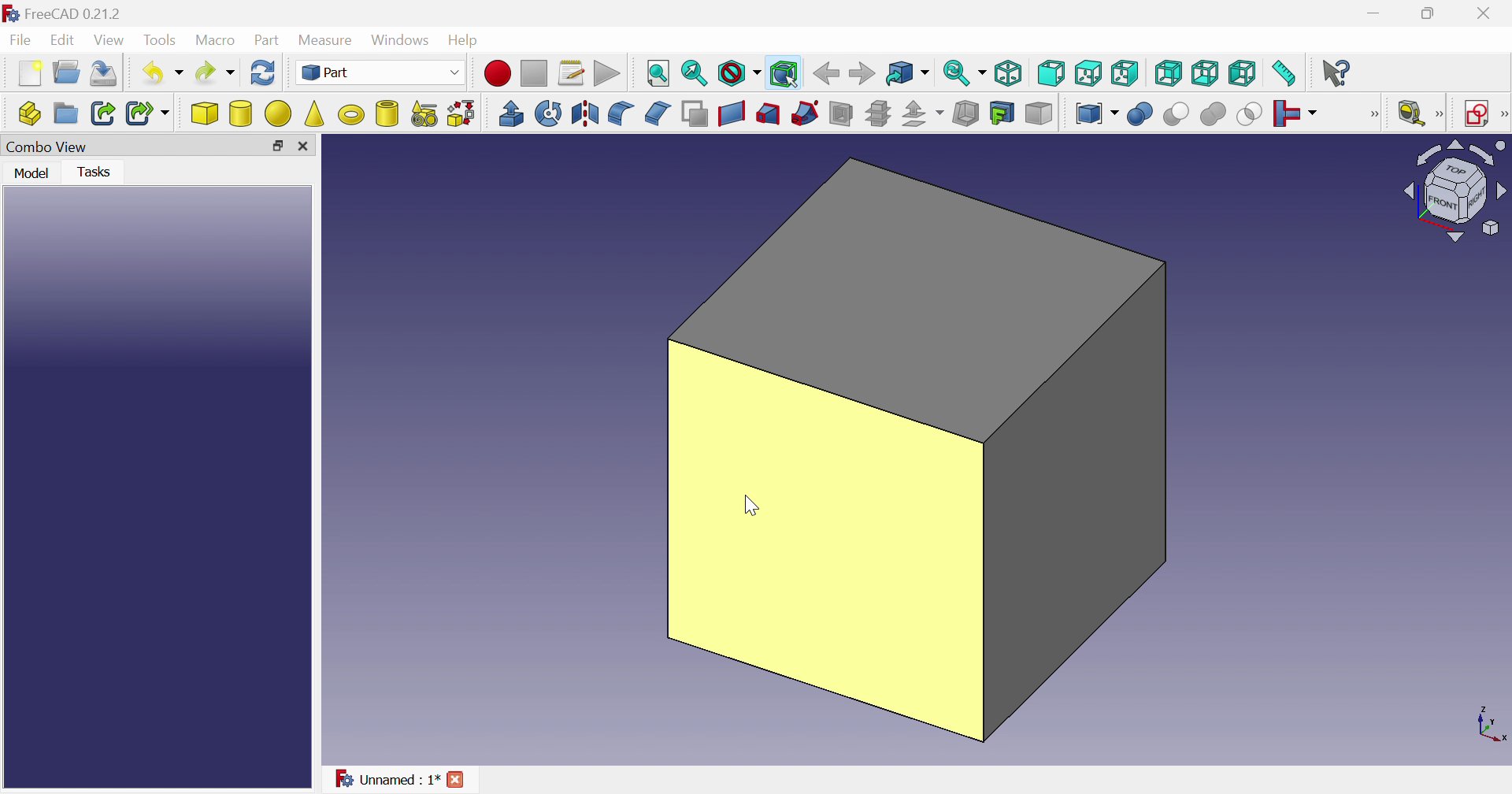  Describe the element at coordinates (65, 42) in the screenshot. I see `Edit` at that location.